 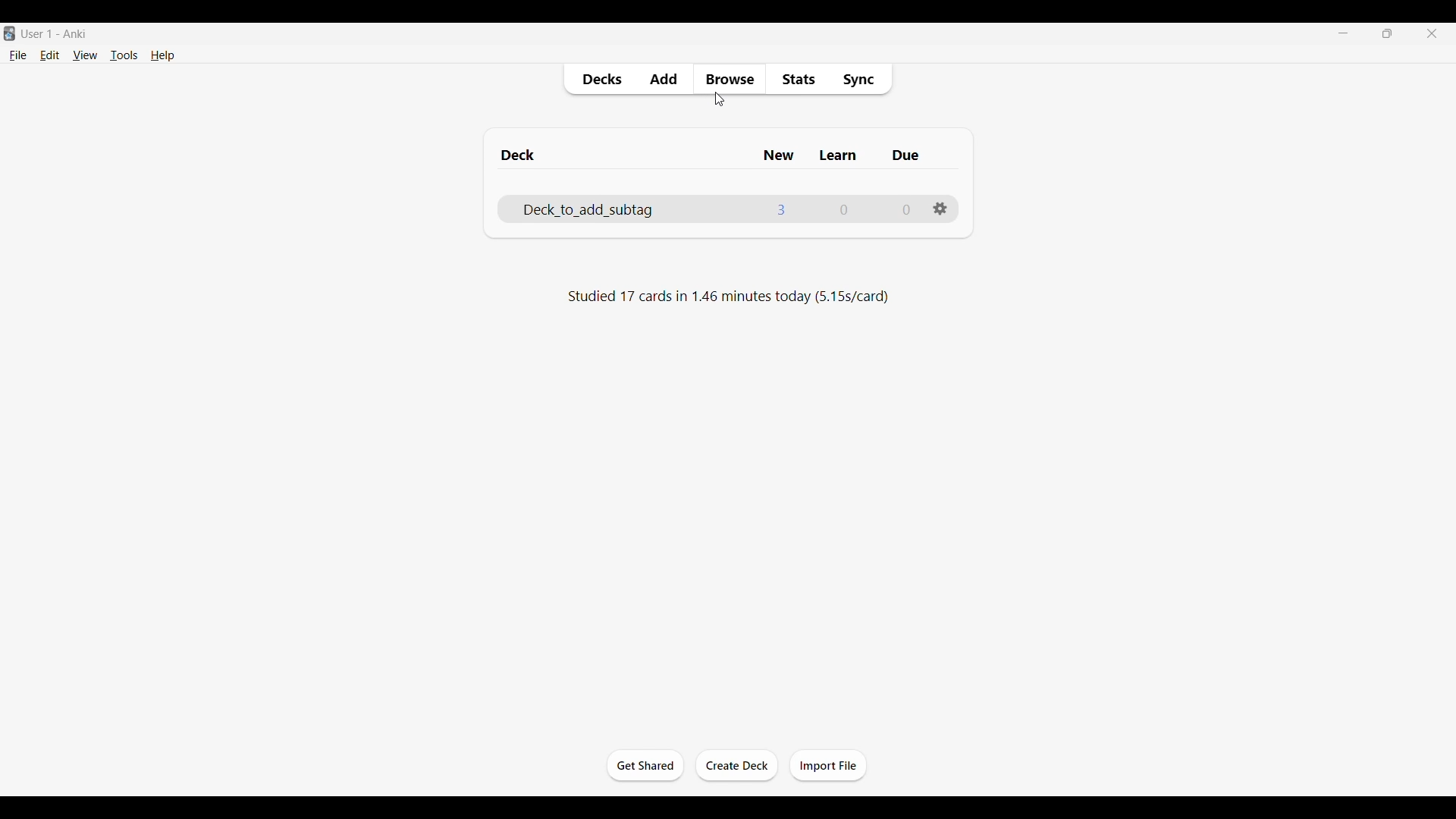 I want to click on User 1 - Anki, so click(x=59, y=33).